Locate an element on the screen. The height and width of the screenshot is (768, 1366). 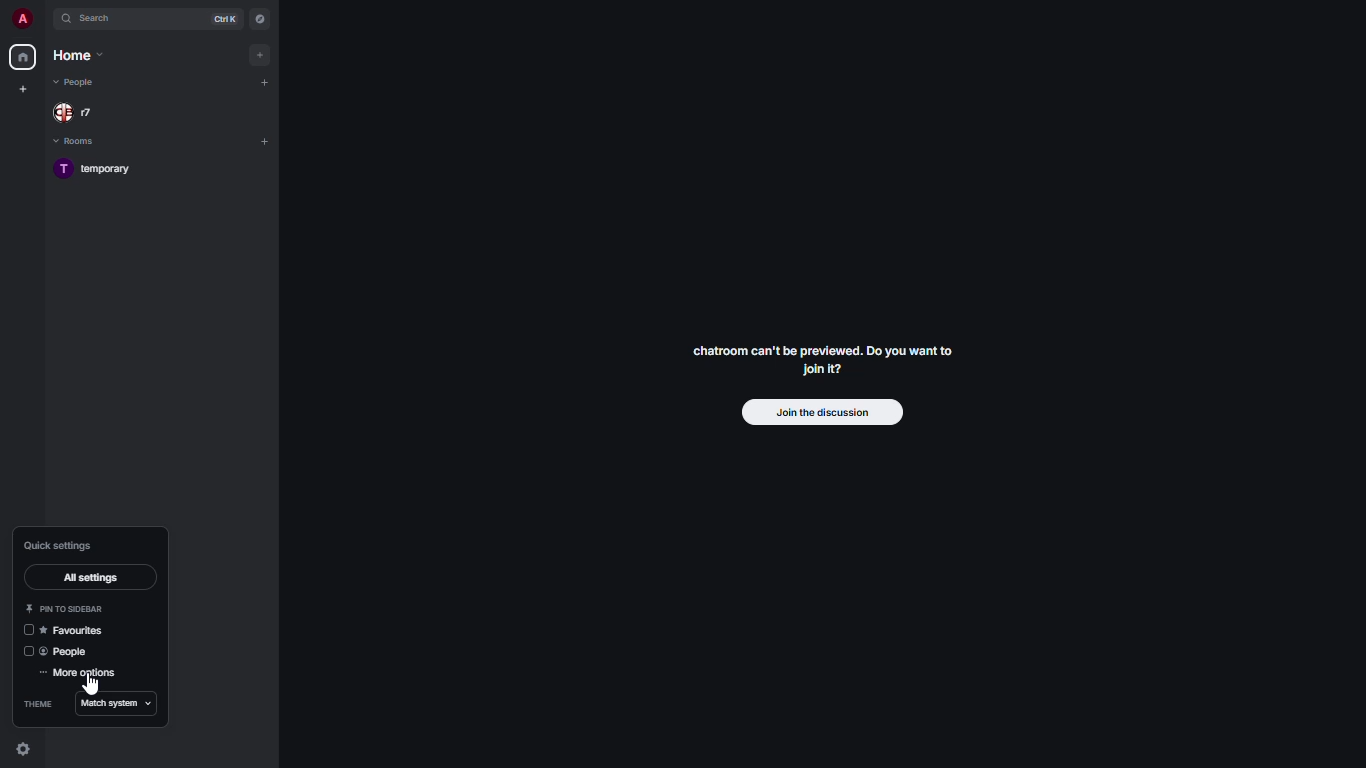
create new space is located at coordinates (24, 88).